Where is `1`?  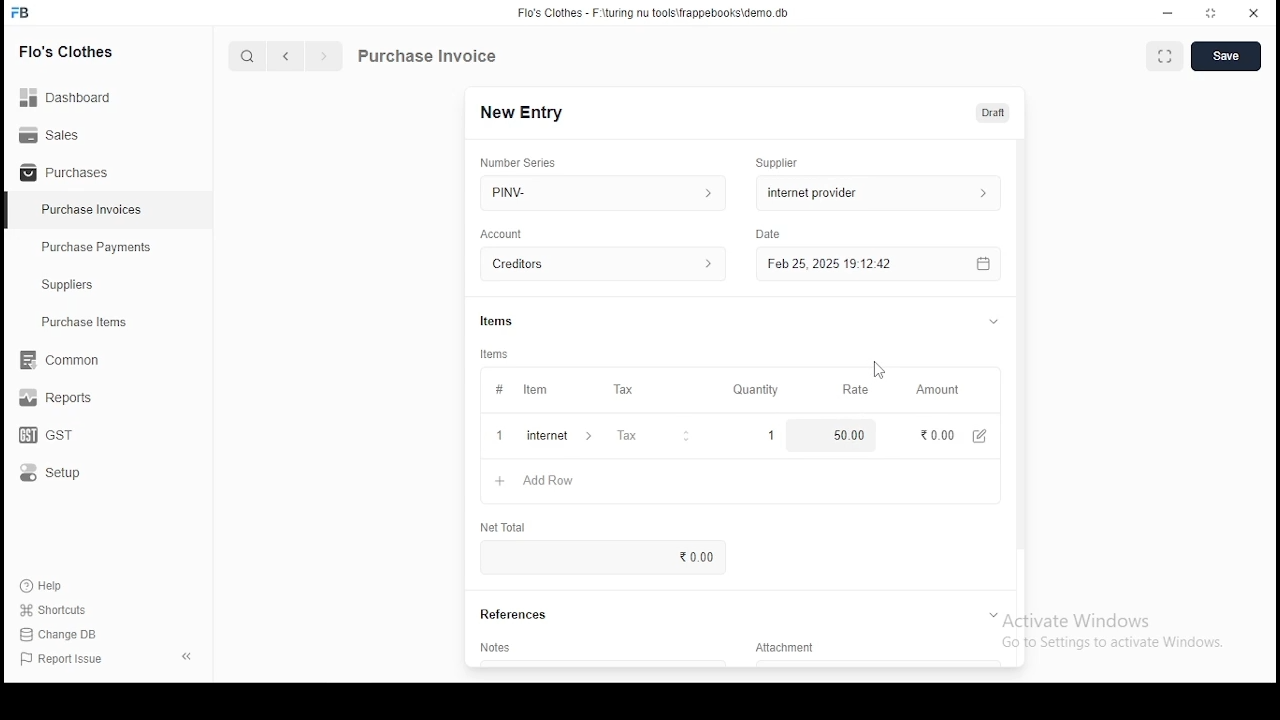 1 is located at coordinates (765, 435).